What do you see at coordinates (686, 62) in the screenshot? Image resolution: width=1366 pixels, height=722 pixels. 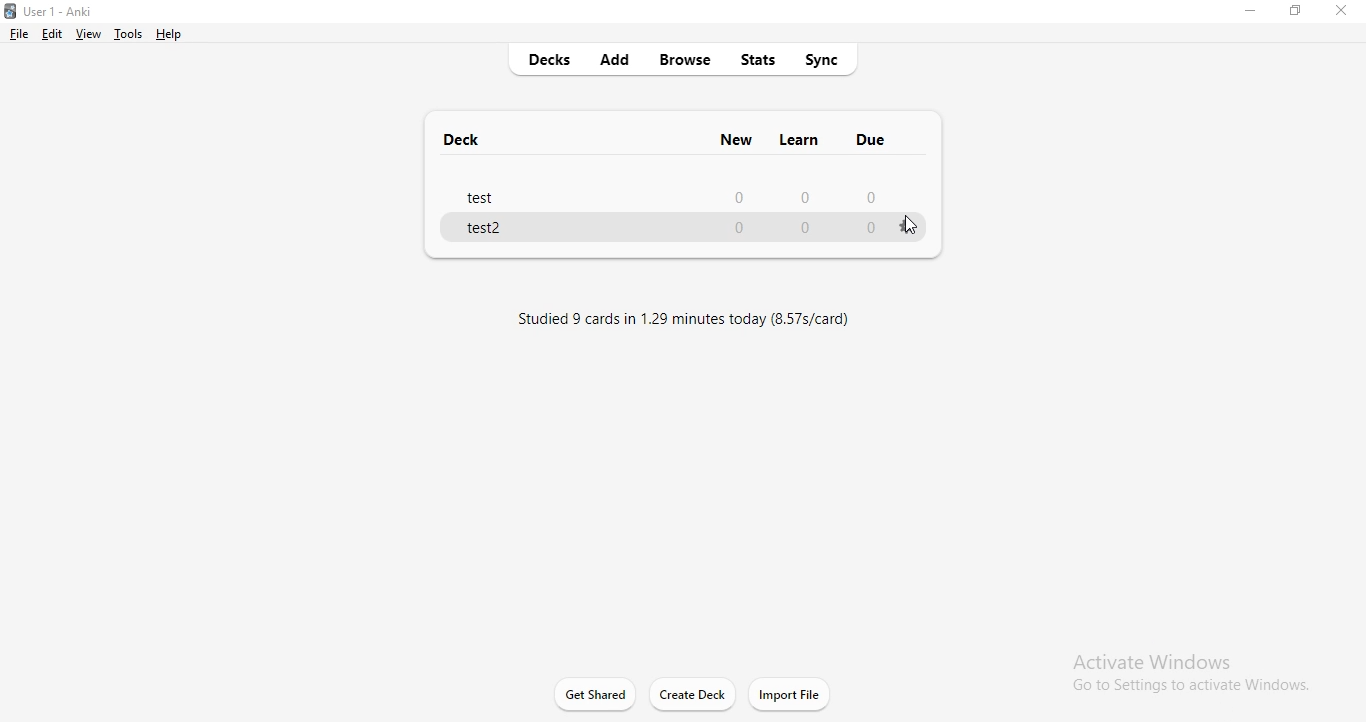 I see `browse` at bounding box center [686, 62].